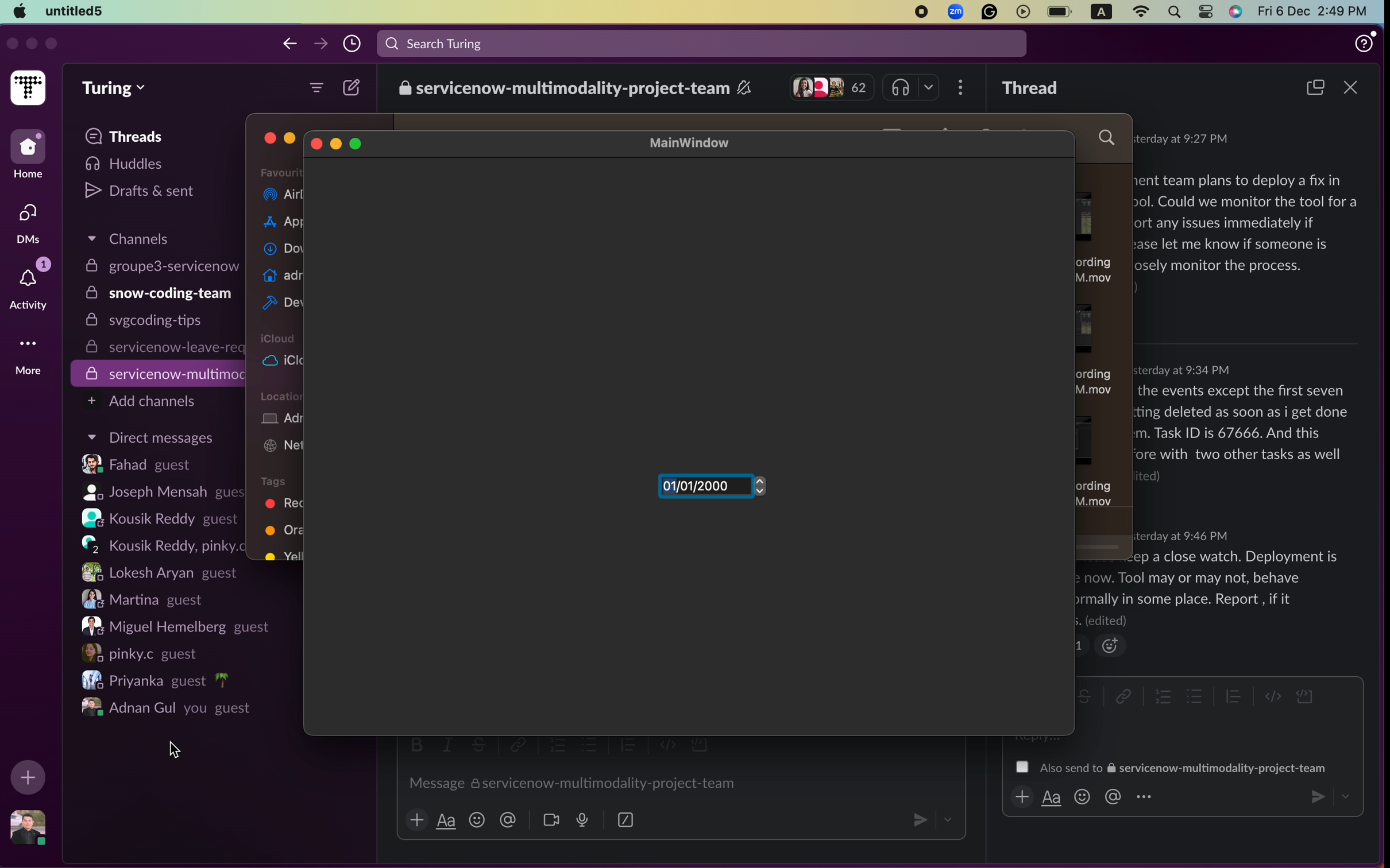  Describe the element at coordinates (1207, 11) in the screenshot. I see `settings` at that location.